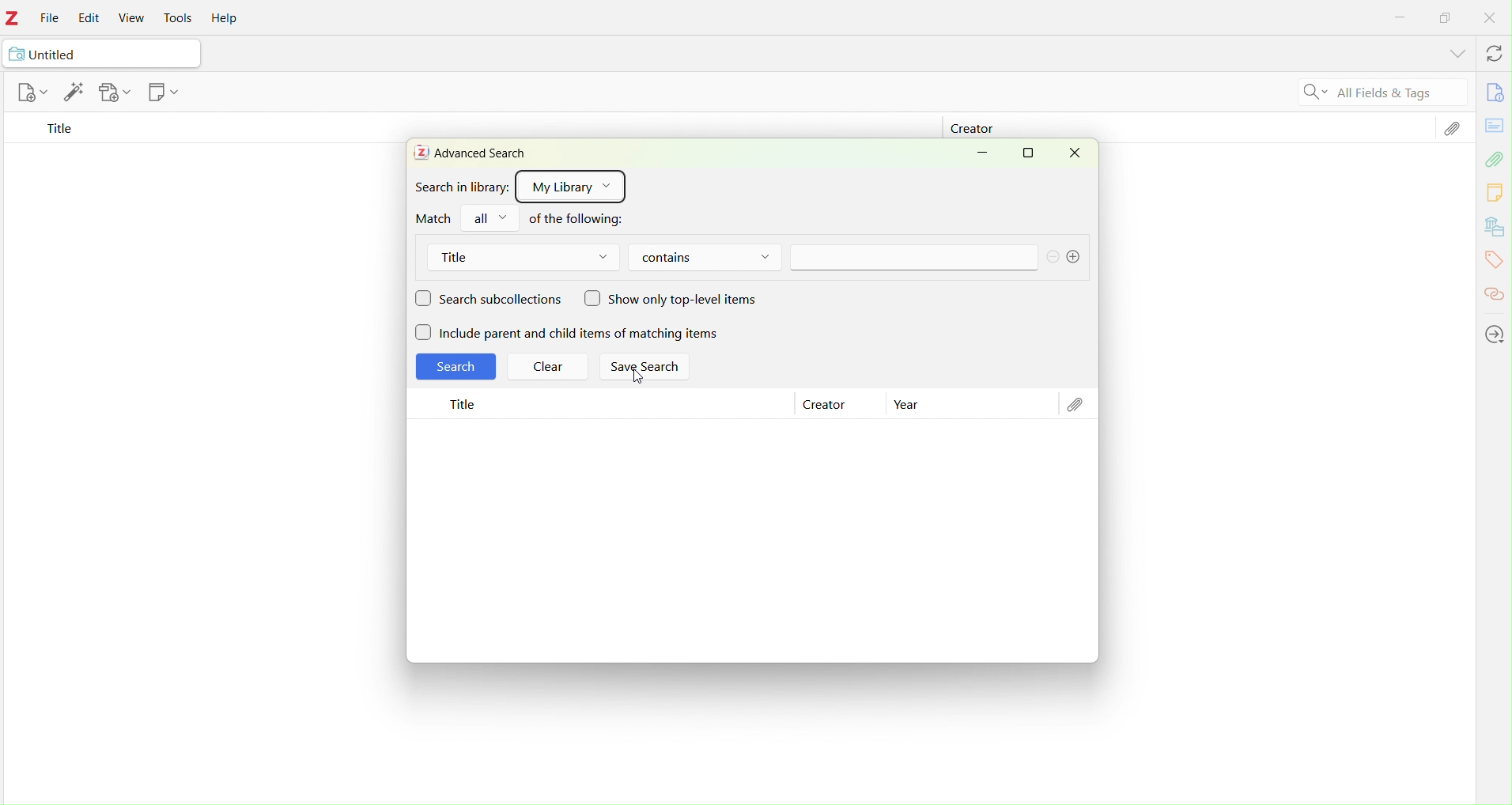  Describe the element at coordinates (59, 130) in the screenshot. I see `Title` at that location.